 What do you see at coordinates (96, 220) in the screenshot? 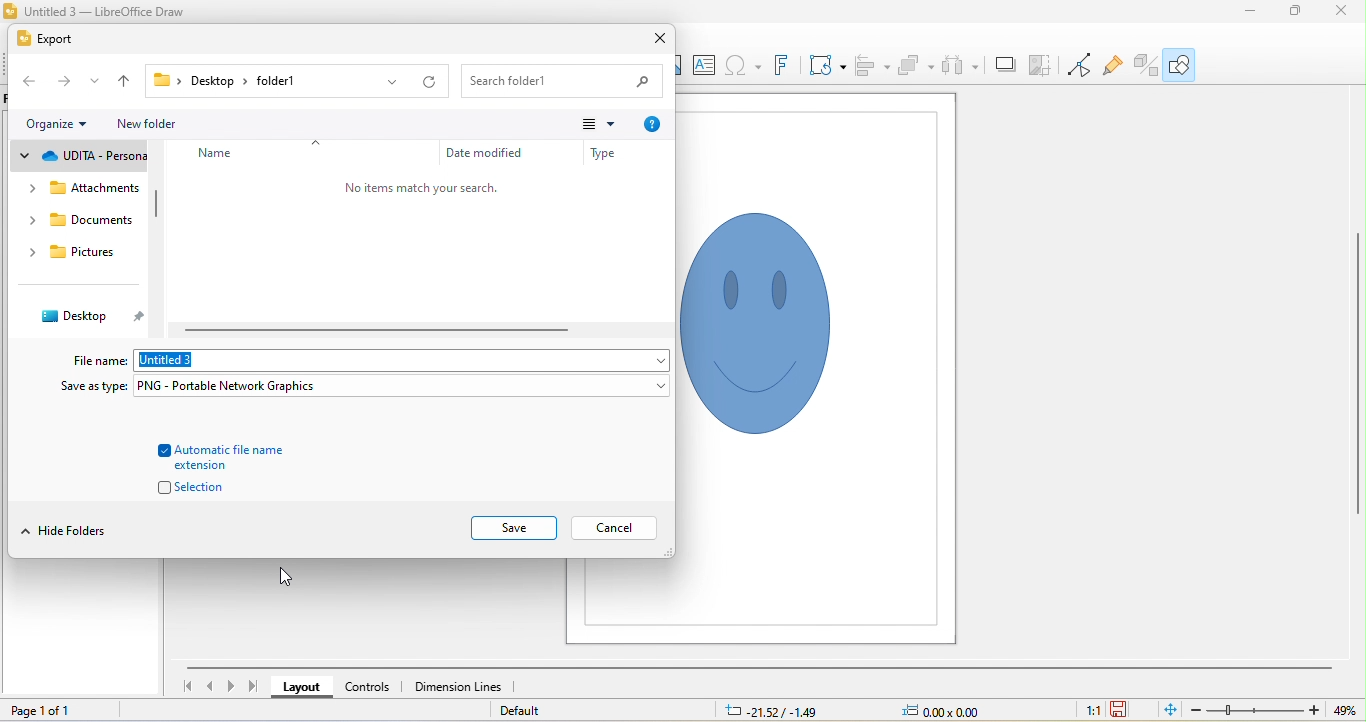
I see `documents` at bounding box center [96, 220].